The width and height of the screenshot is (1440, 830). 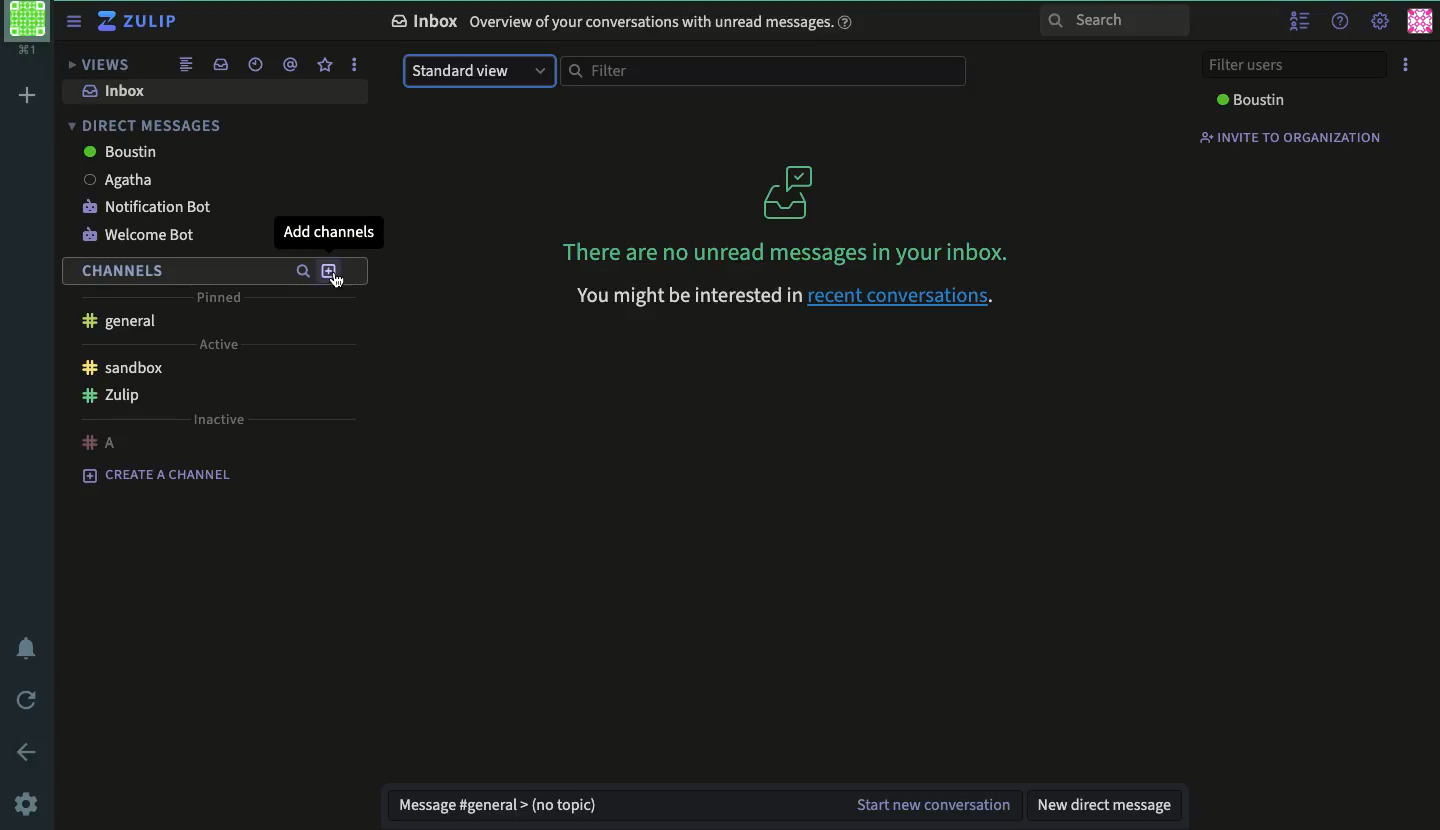 What do you see at coordinates (324, 67) in the screenshot?
I see `star` at bounding box center [324, 67].